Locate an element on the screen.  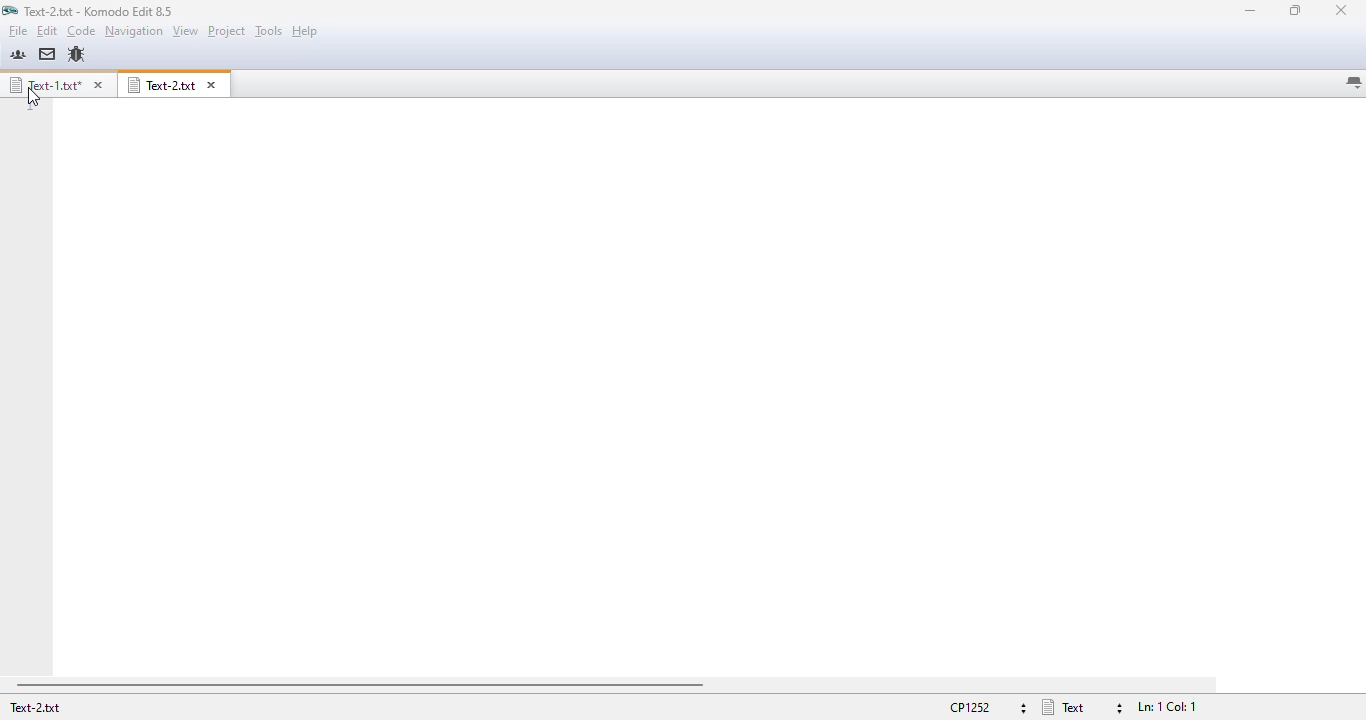
logo is located at coordinates (9, 11).